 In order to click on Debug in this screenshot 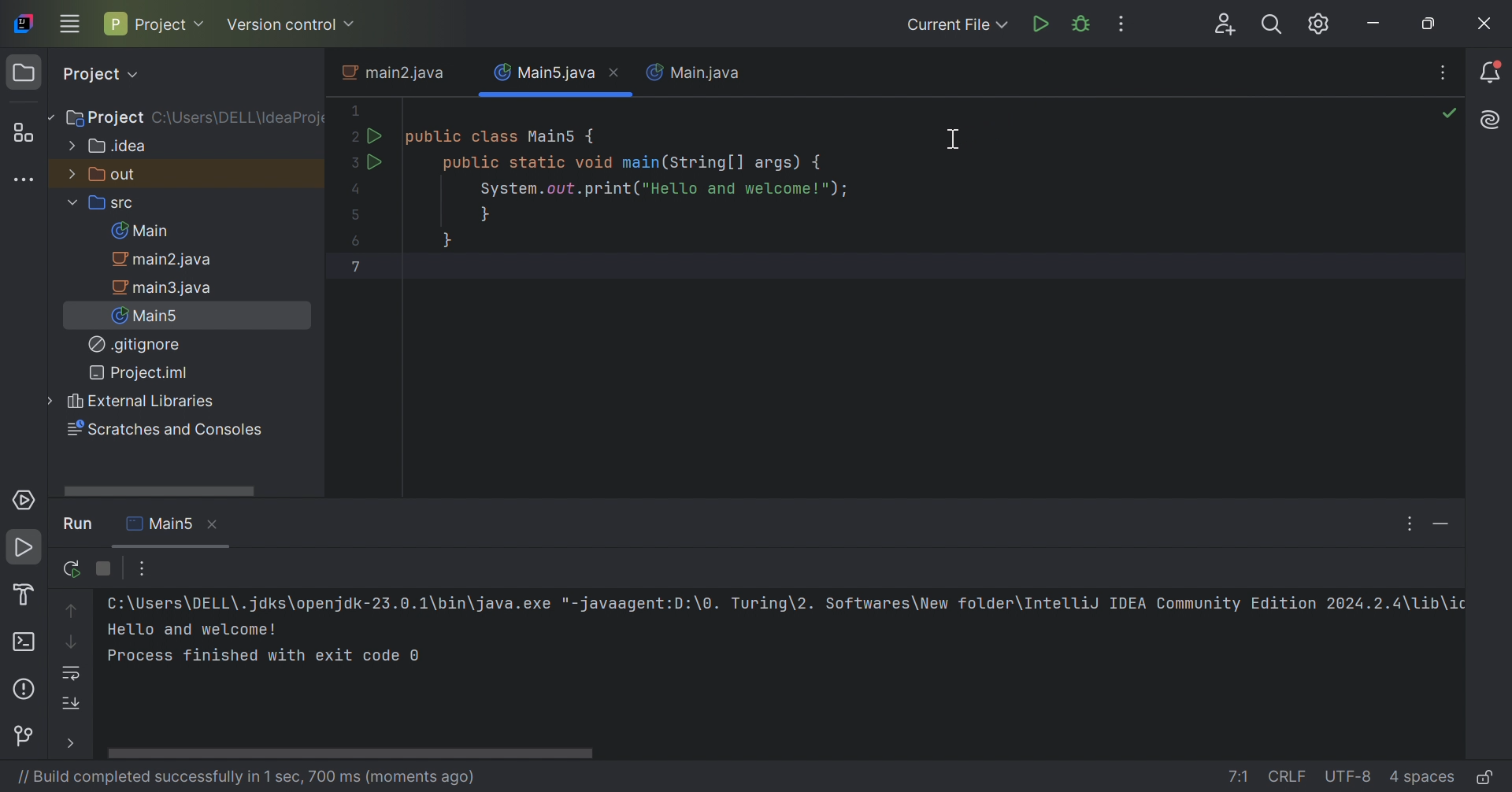, I will do `click(1082, 26)`.